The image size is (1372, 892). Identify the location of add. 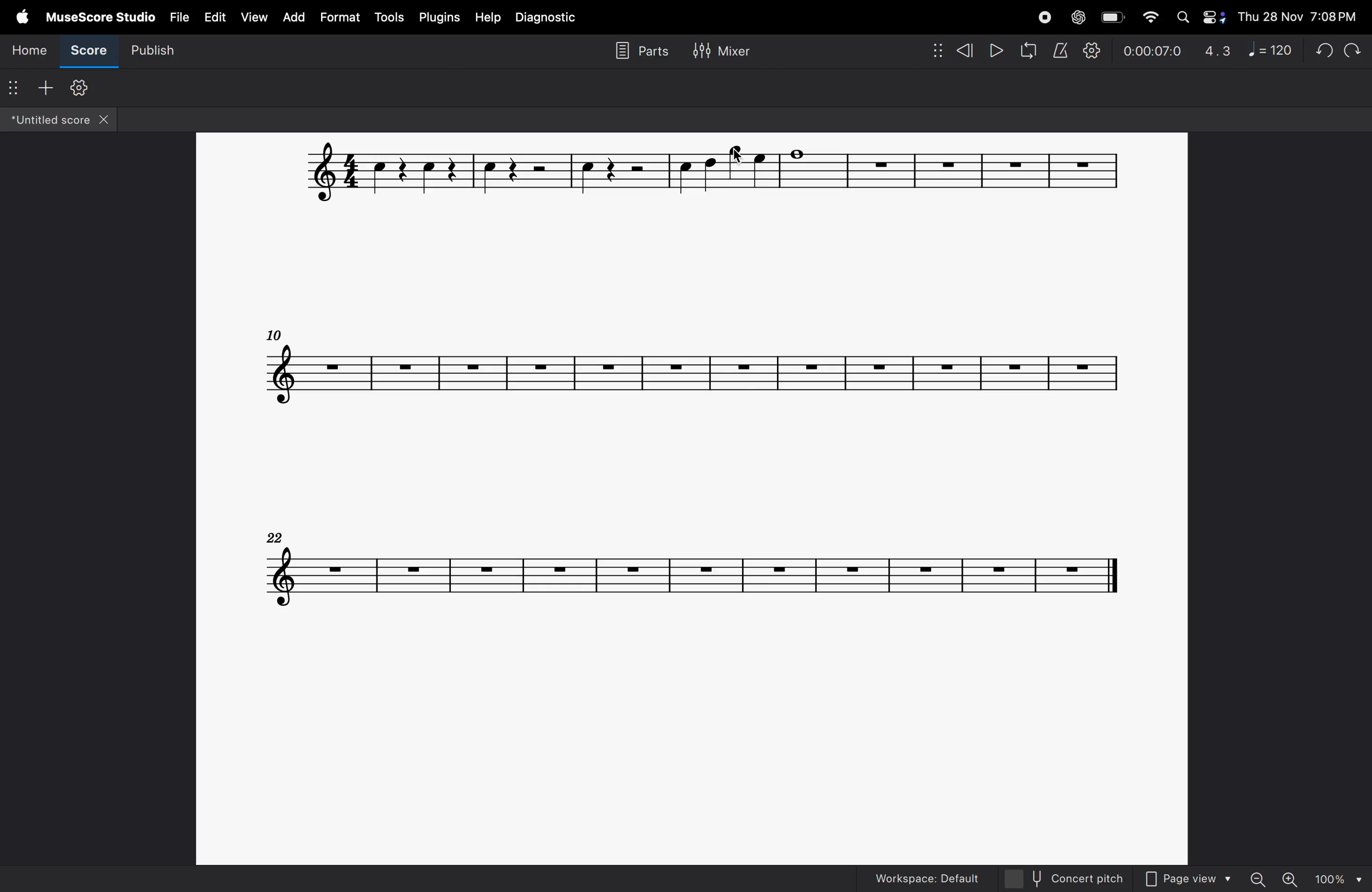
(42, 86).